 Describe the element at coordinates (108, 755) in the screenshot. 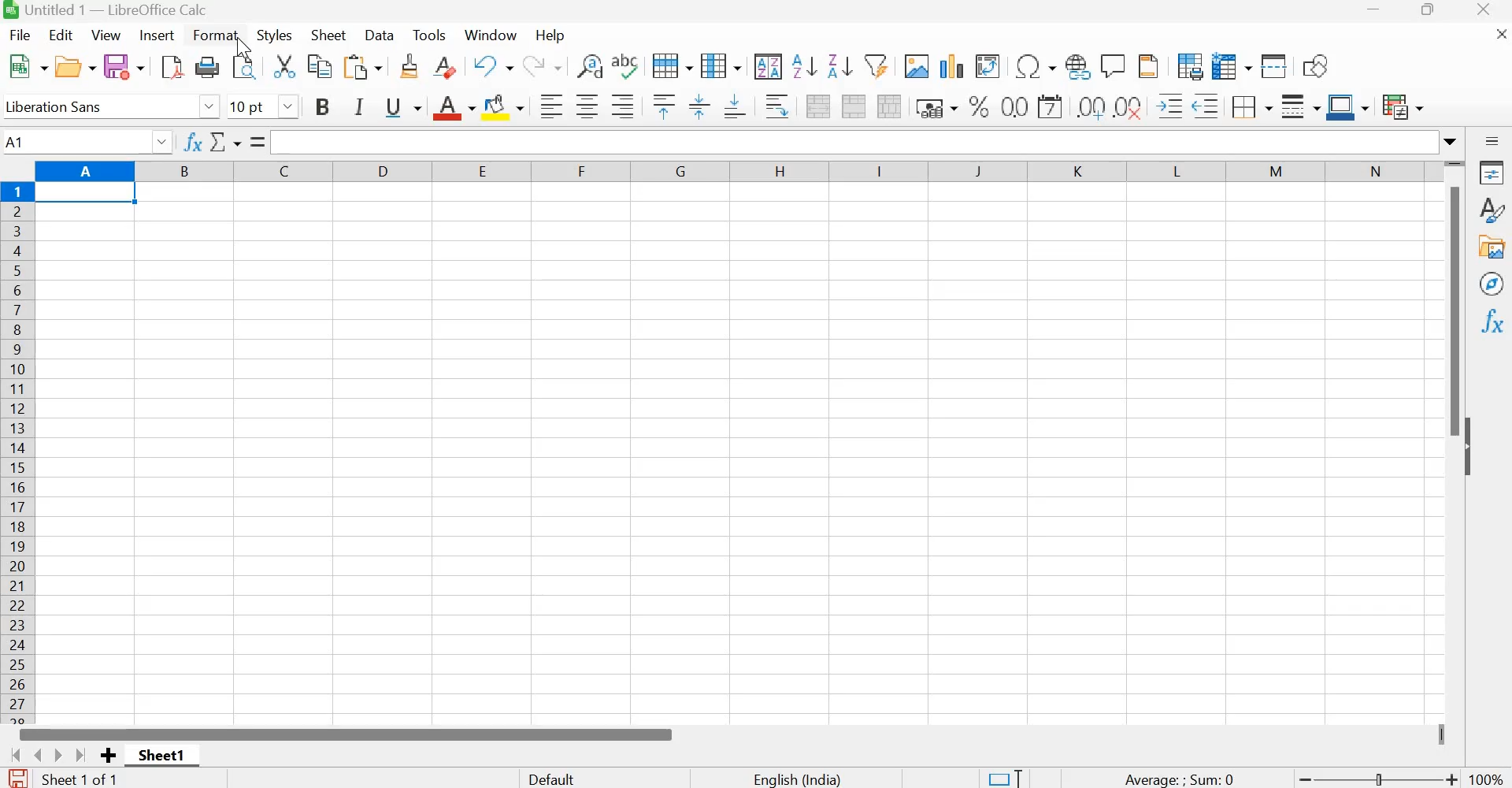

I see `Add new sheet` at that location.